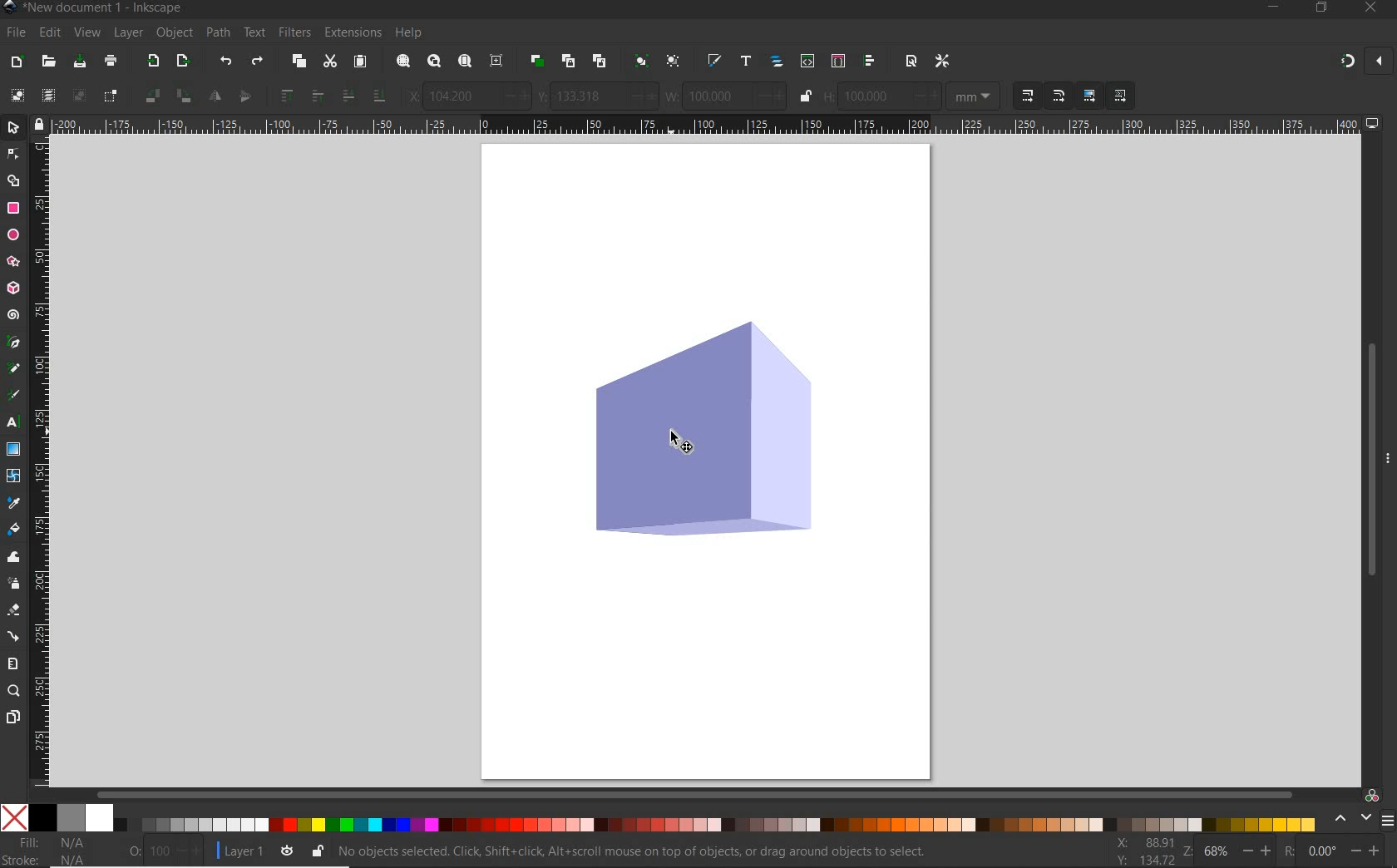 The height and width of the screenshot is (868, 1397). Describe the element at coordinates (183, 63) in the screenshot. I see `OPEN EXPORT` at that location.